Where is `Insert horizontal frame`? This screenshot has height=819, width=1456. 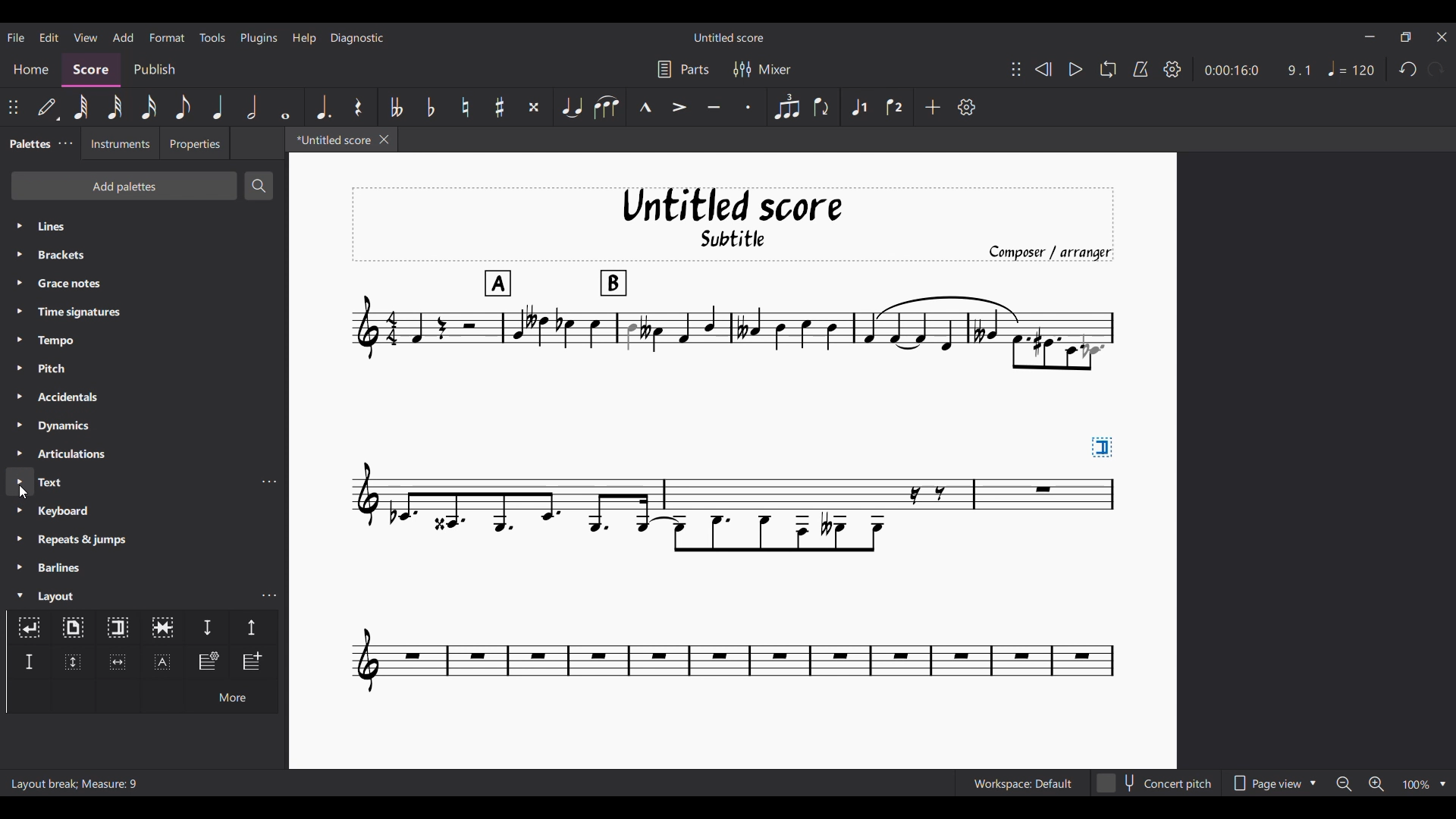
Insert horizontal frame is located at coordinates (118, 662).